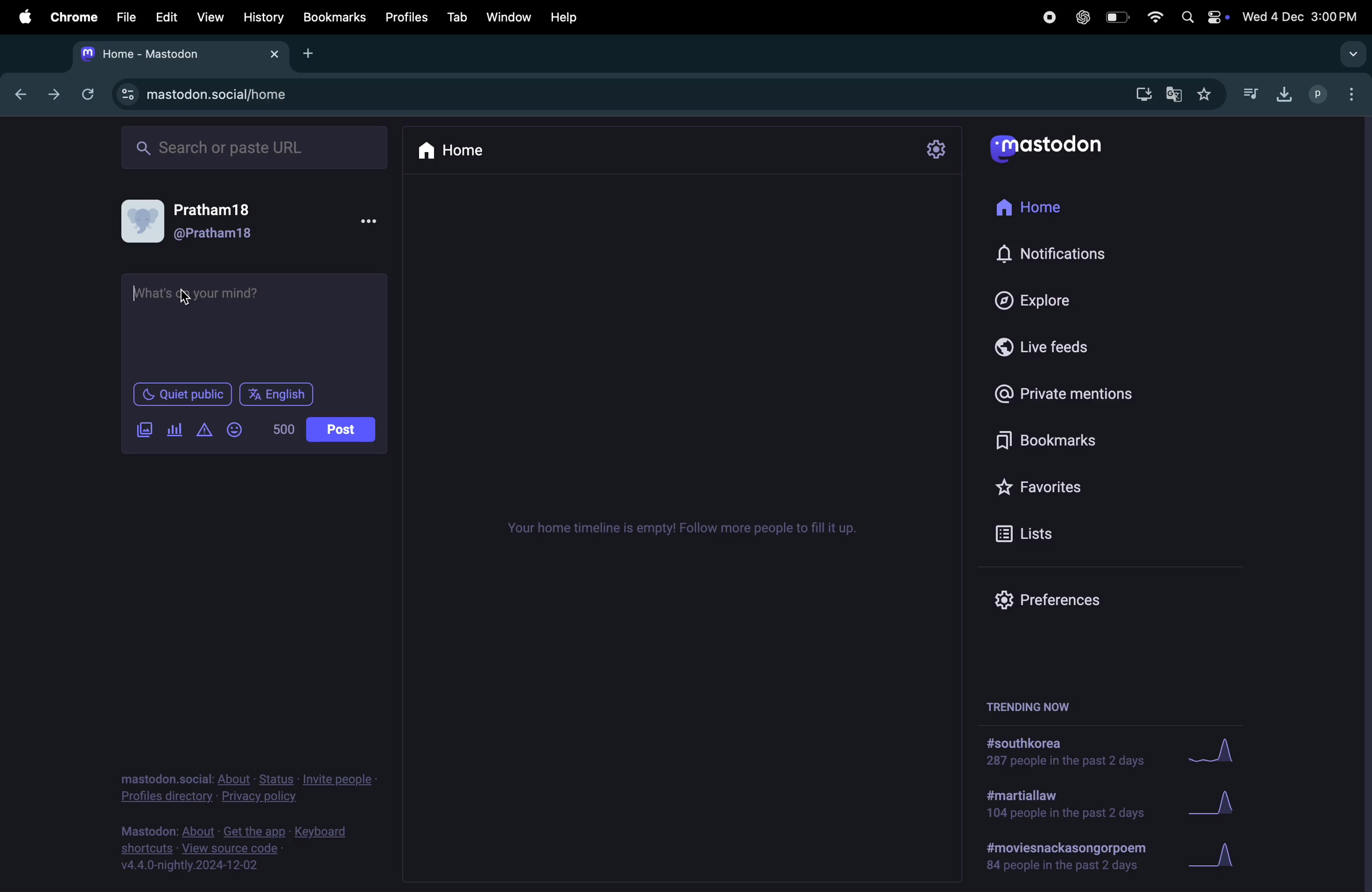  I want to click on Favourites, so click(1058, 488).